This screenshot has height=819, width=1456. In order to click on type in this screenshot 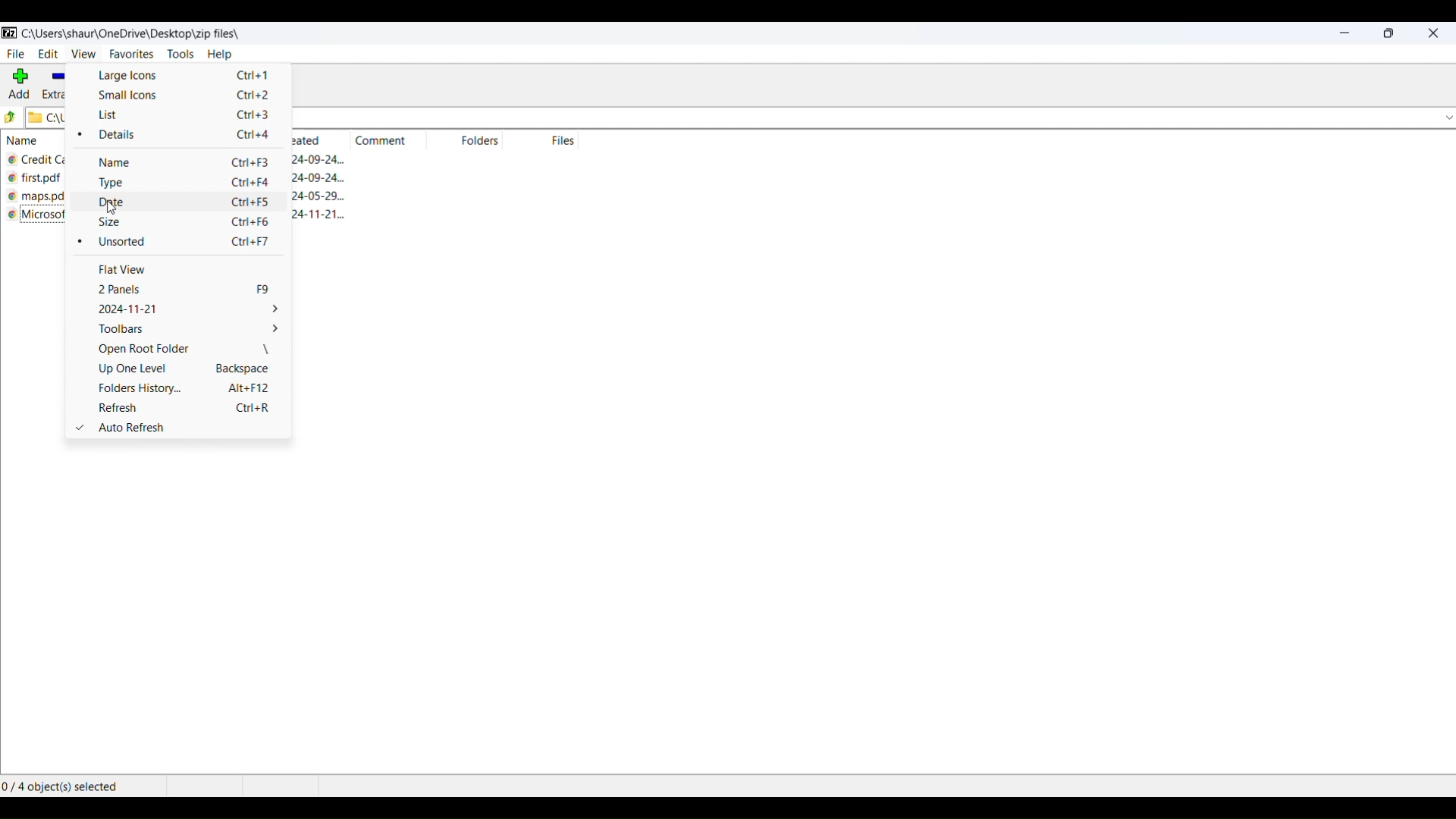, I will do `click(184, 185)`.